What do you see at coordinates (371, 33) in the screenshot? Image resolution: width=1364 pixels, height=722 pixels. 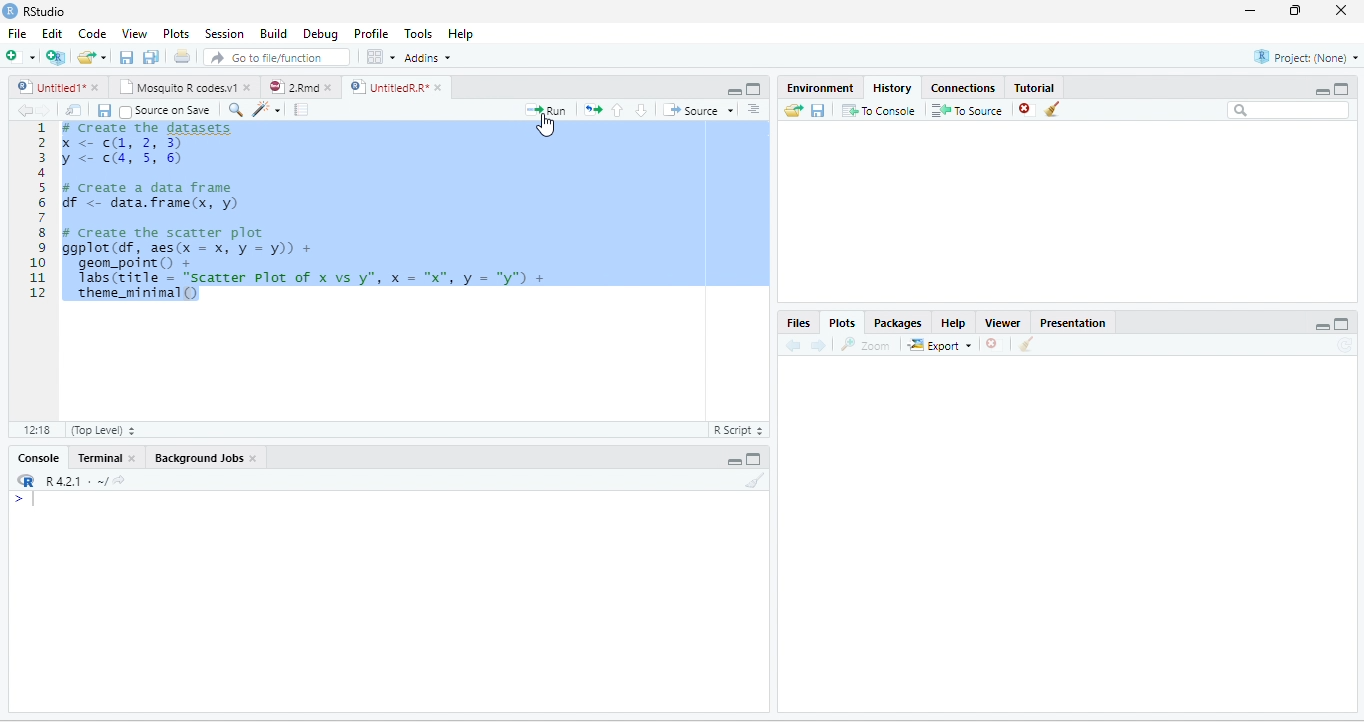 I see `Profile` at bounding box center [371, 33].